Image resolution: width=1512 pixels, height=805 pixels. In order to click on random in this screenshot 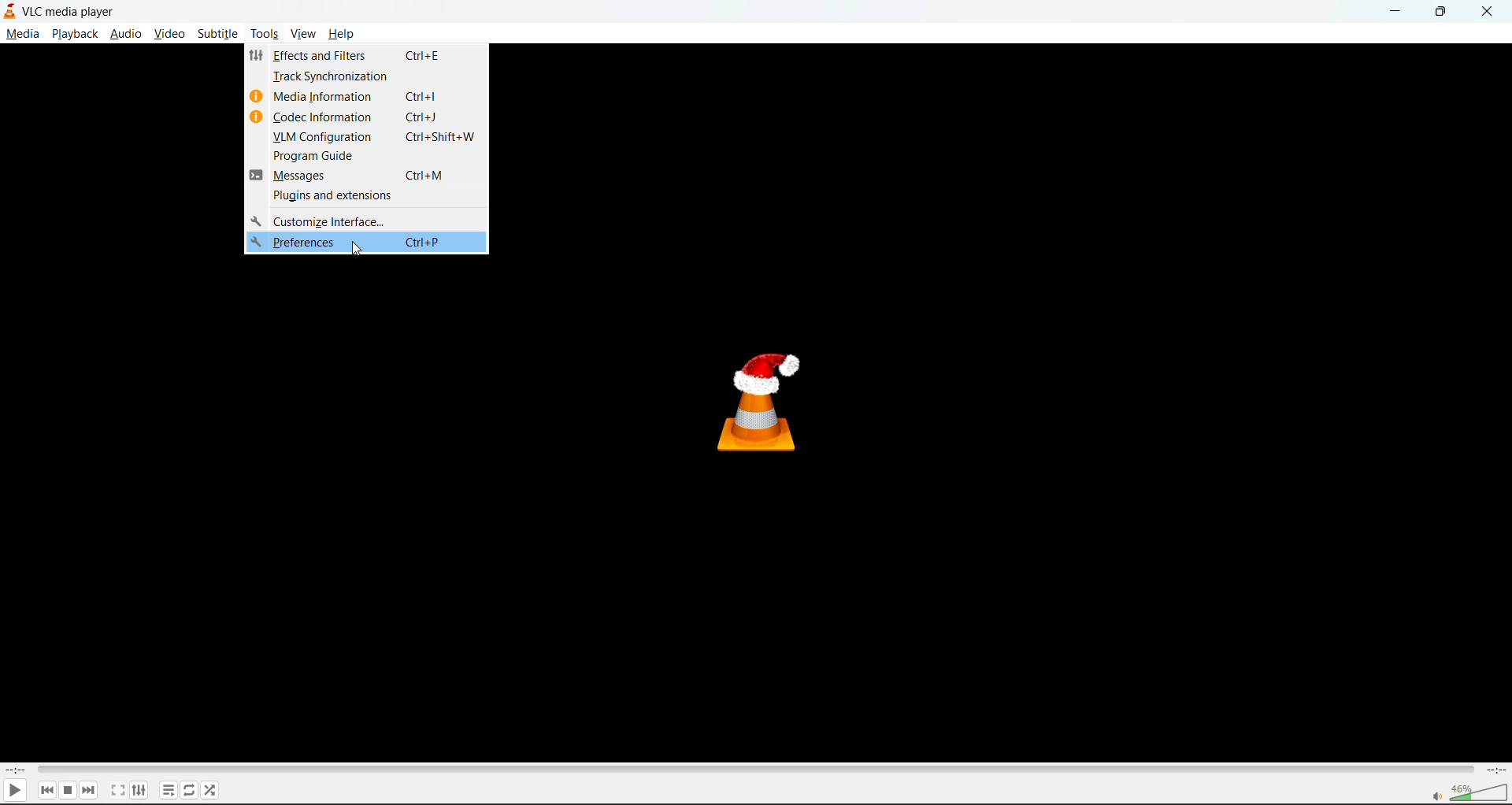, I will do `click(212, 792)`.